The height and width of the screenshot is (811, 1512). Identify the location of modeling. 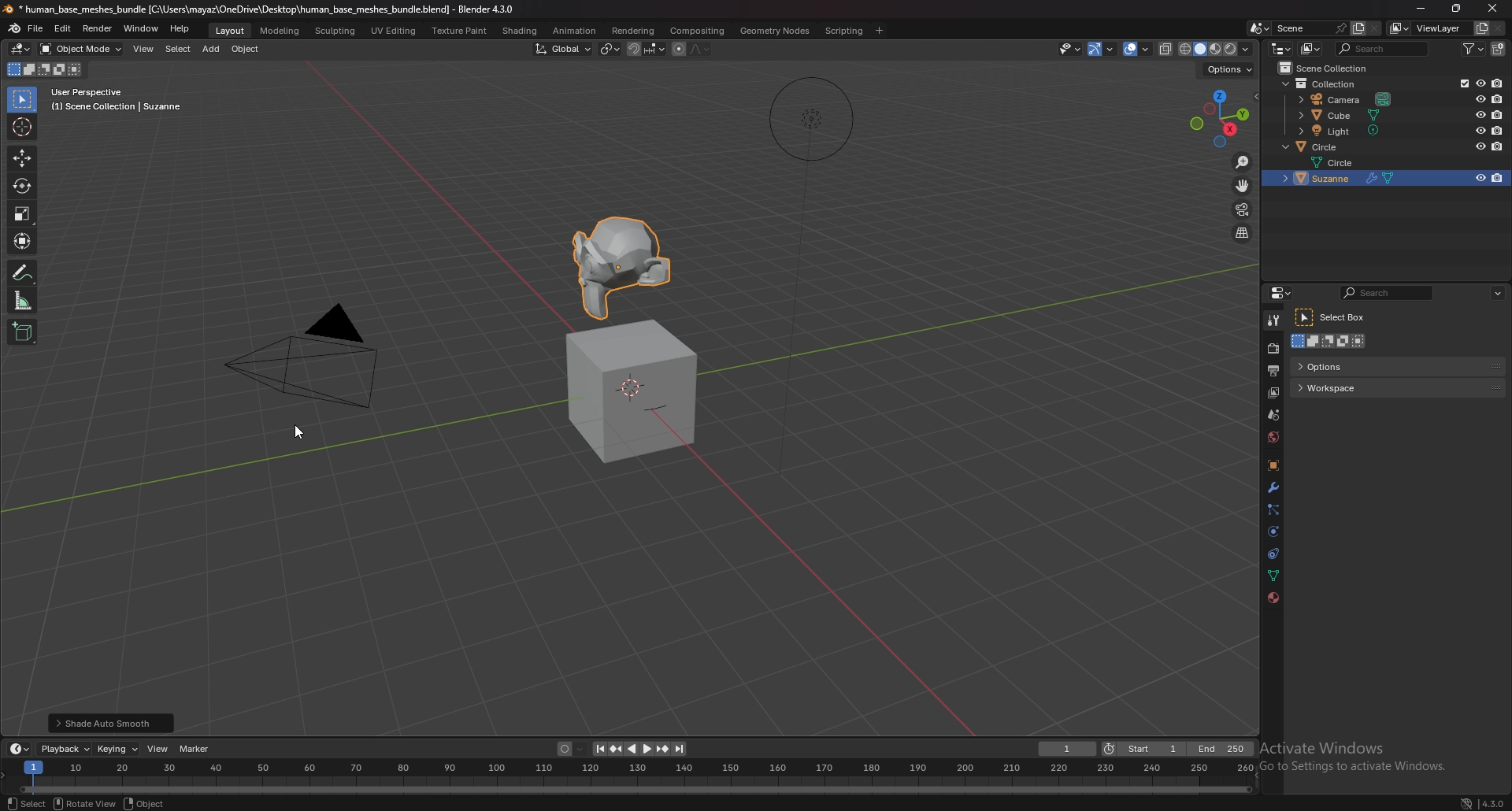
(281, 30).